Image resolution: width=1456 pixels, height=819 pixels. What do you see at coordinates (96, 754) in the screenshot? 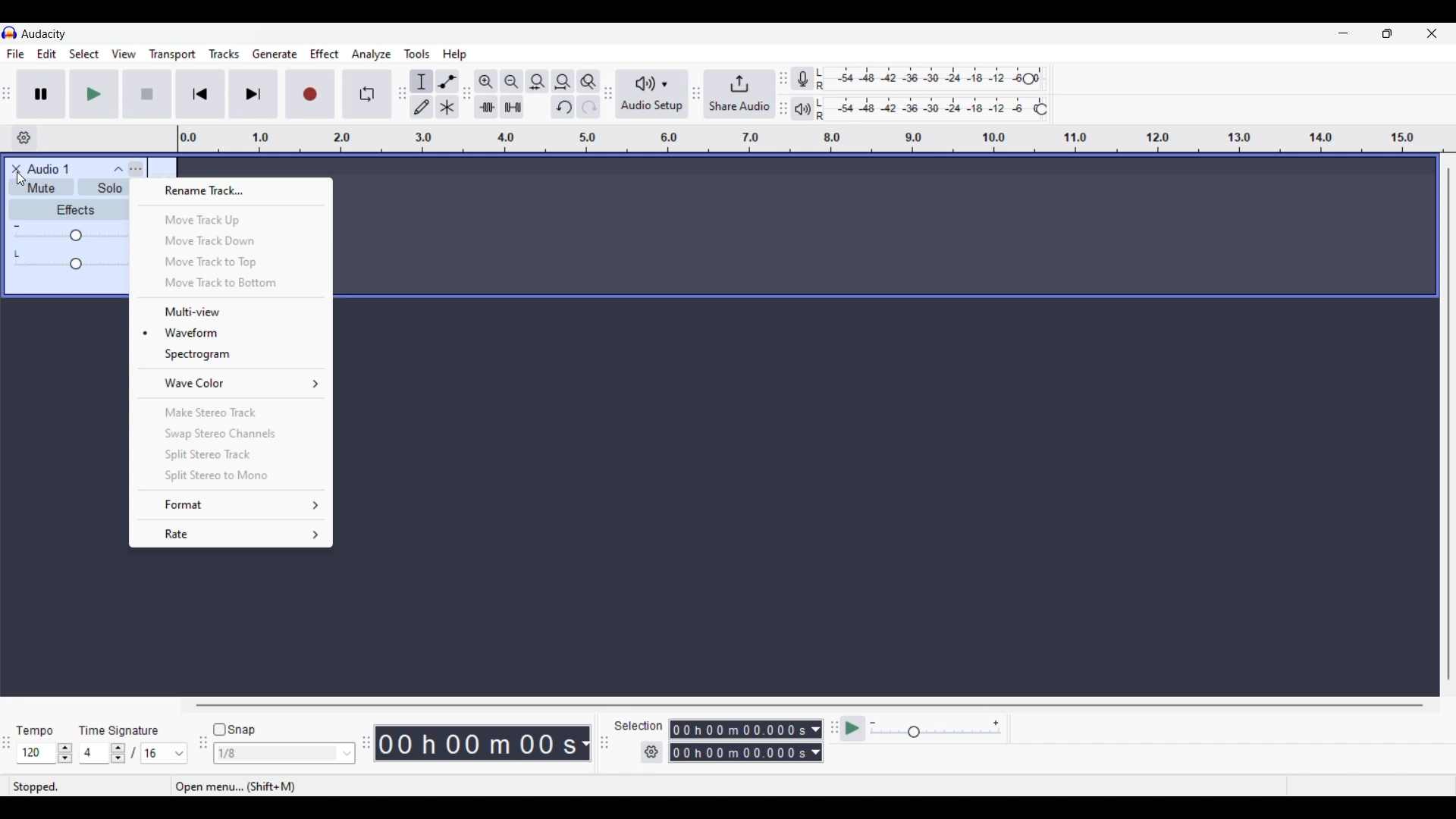
I see `Selected time signature` at bounding box center [96, 754].